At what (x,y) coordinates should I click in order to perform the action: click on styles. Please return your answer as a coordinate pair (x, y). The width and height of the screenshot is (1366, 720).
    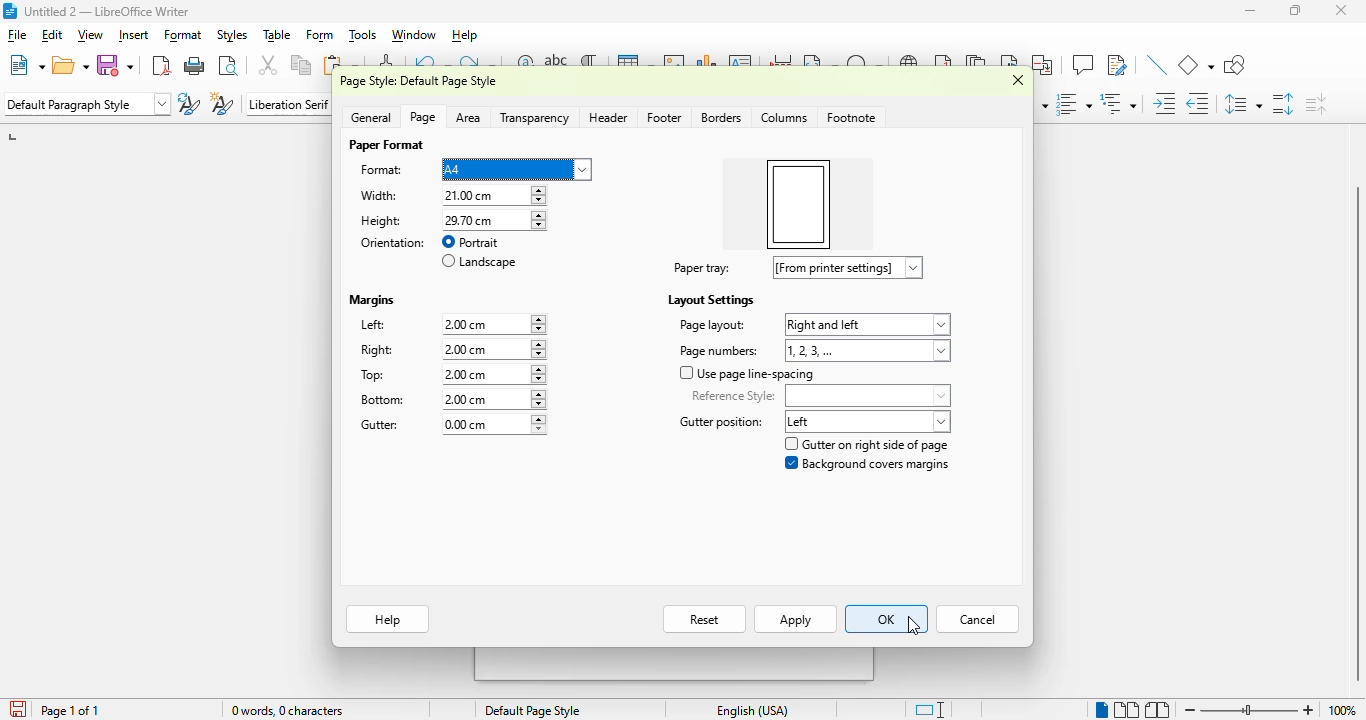
    Looking at the image, I should click on (232, 35).